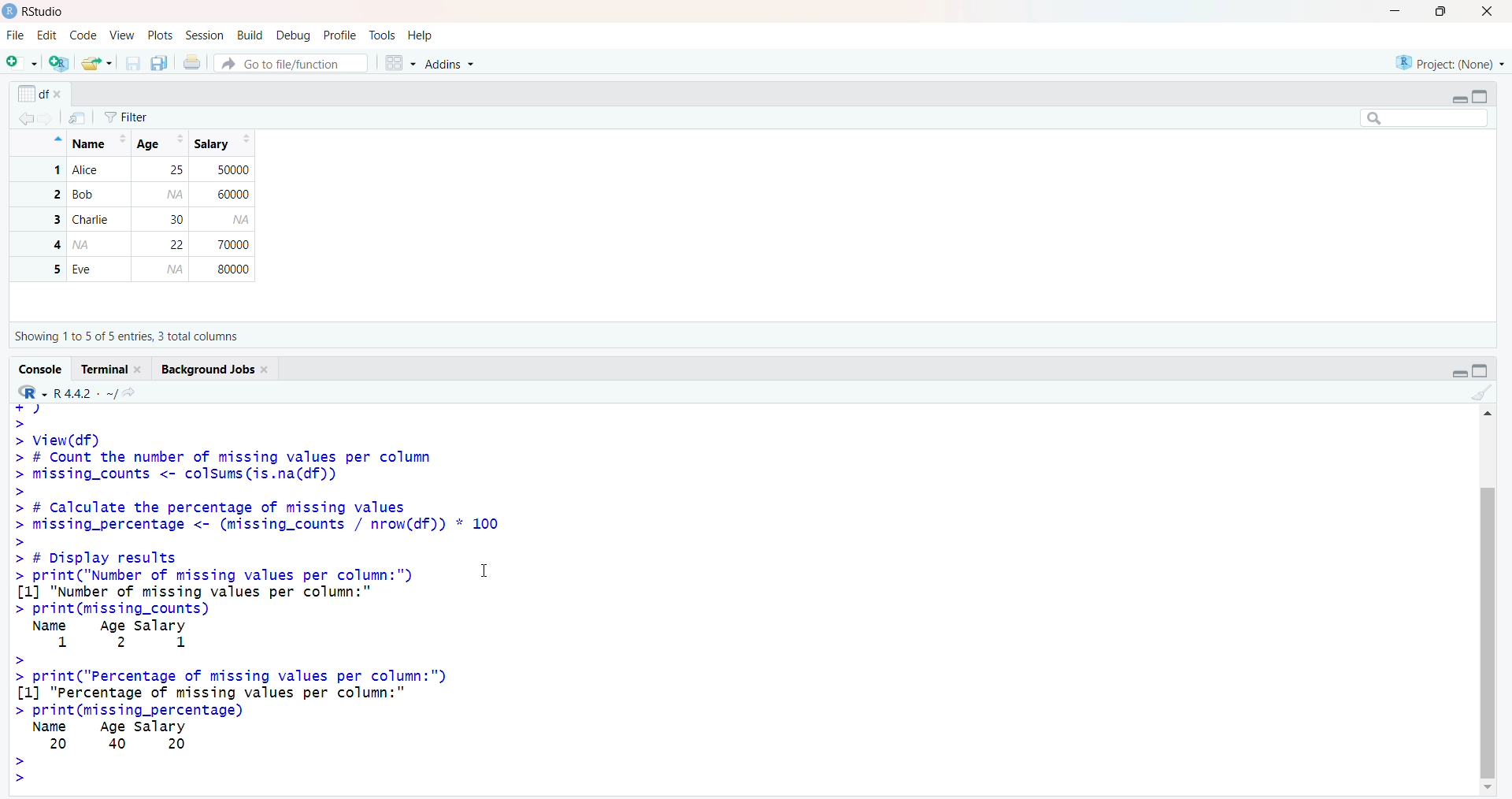 The image size is (1512, 799). I want to click on Build, so click(250, 33).